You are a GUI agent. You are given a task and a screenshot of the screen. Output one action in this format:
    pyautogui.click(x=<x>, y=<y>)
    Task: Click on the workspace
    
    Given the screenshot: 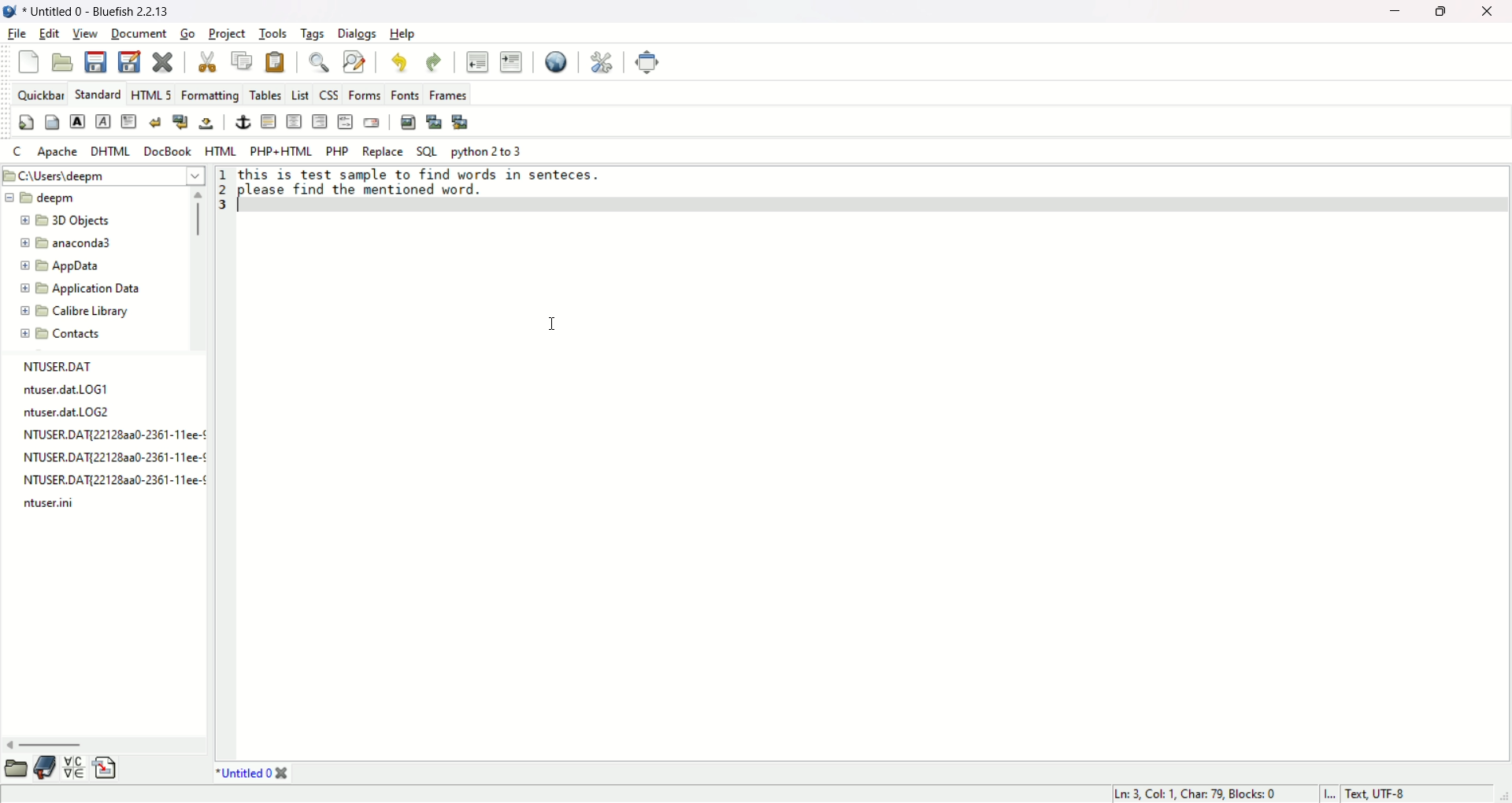 What is the action you would take?
    pyautogui.click(x=874, y=479)
    